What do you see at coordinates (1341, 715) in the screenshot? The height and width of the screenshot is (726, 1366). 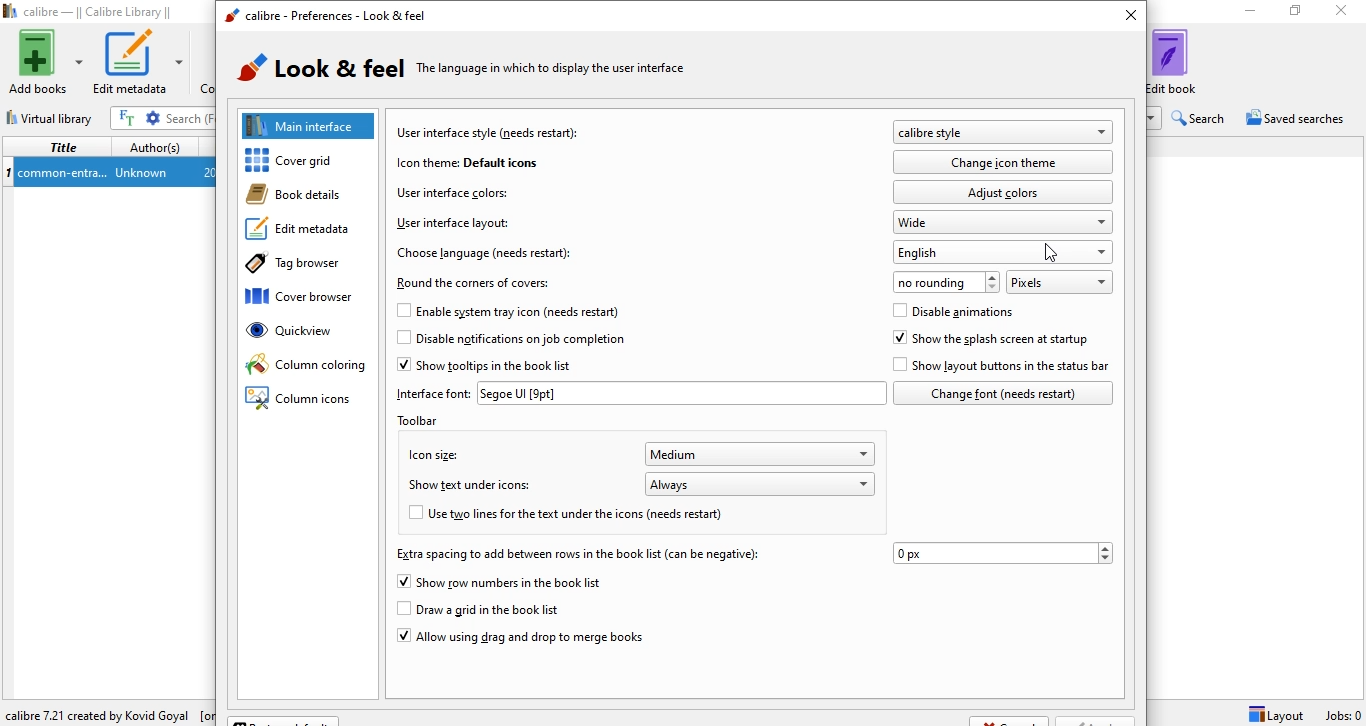 I see `Jobs: 0` at bounding box center [1341, 715].